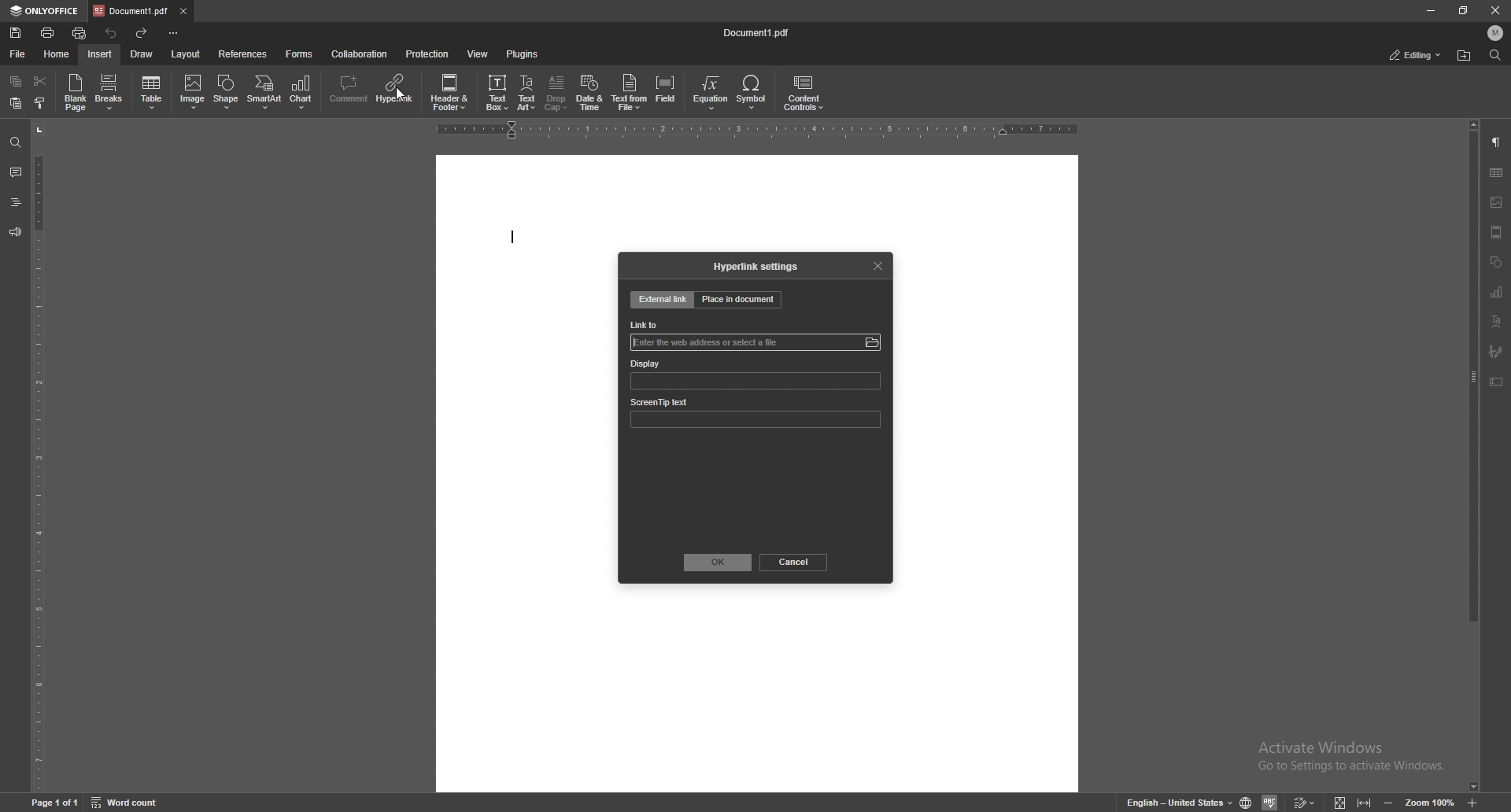 The image size is (1511, 812). Describe the element at coordinates (400, 96) in the screenshot. I see `cursor` at that location.